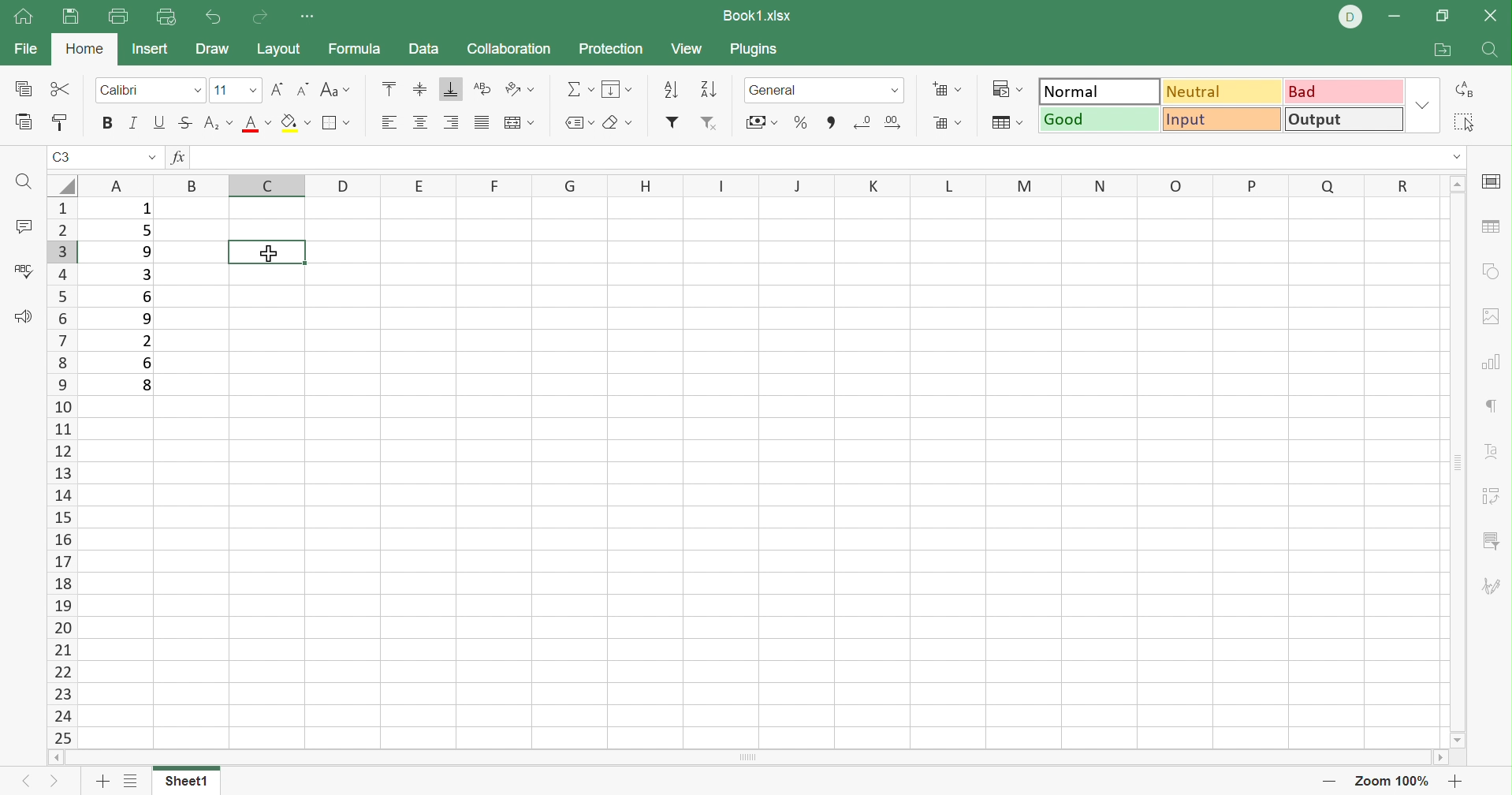  I want to click on Strikethrough, so click(186, 123).